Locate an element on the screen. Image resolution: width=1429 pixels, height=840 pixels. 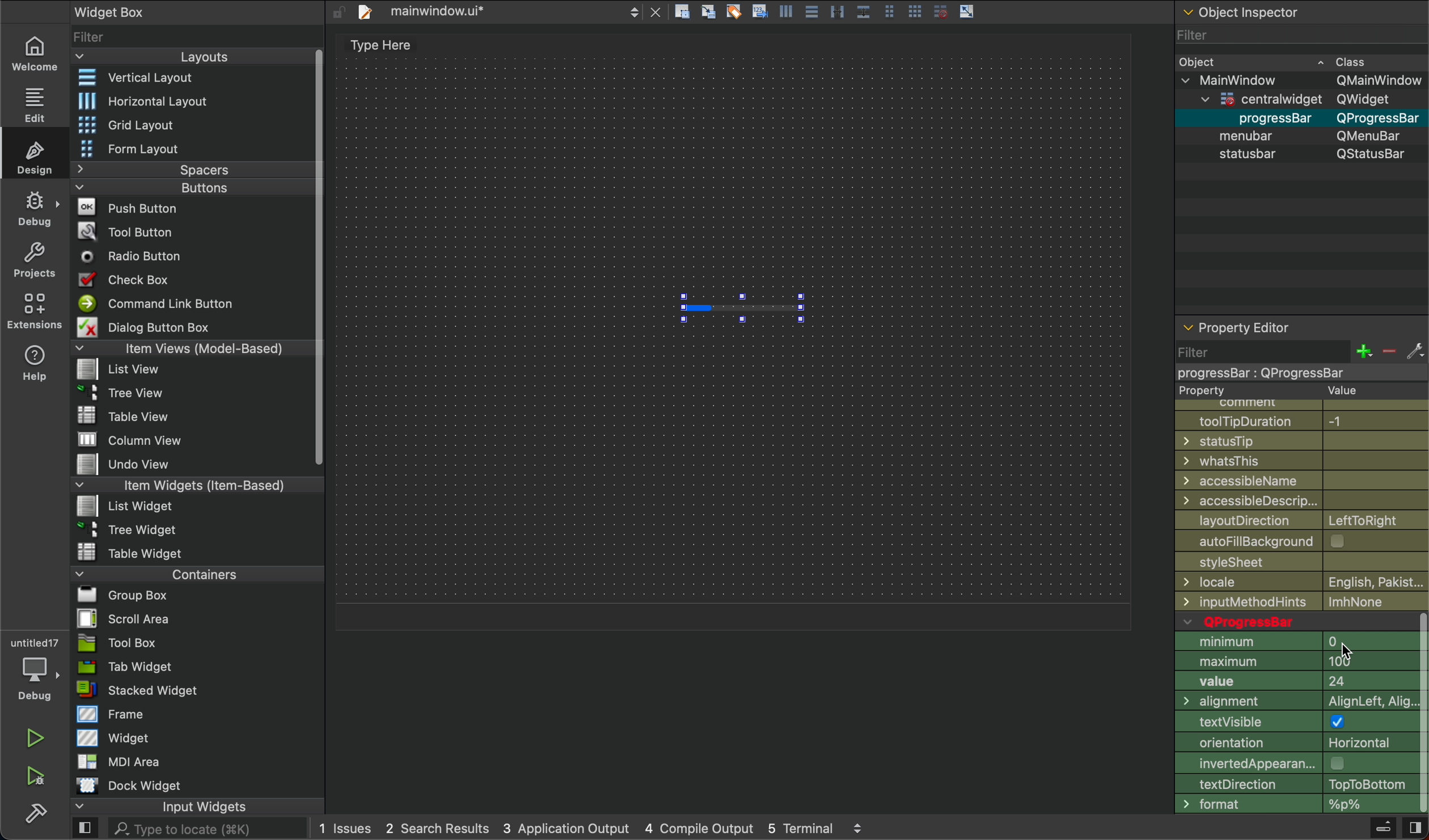
Input Widget is located at coordinates (159, 807).